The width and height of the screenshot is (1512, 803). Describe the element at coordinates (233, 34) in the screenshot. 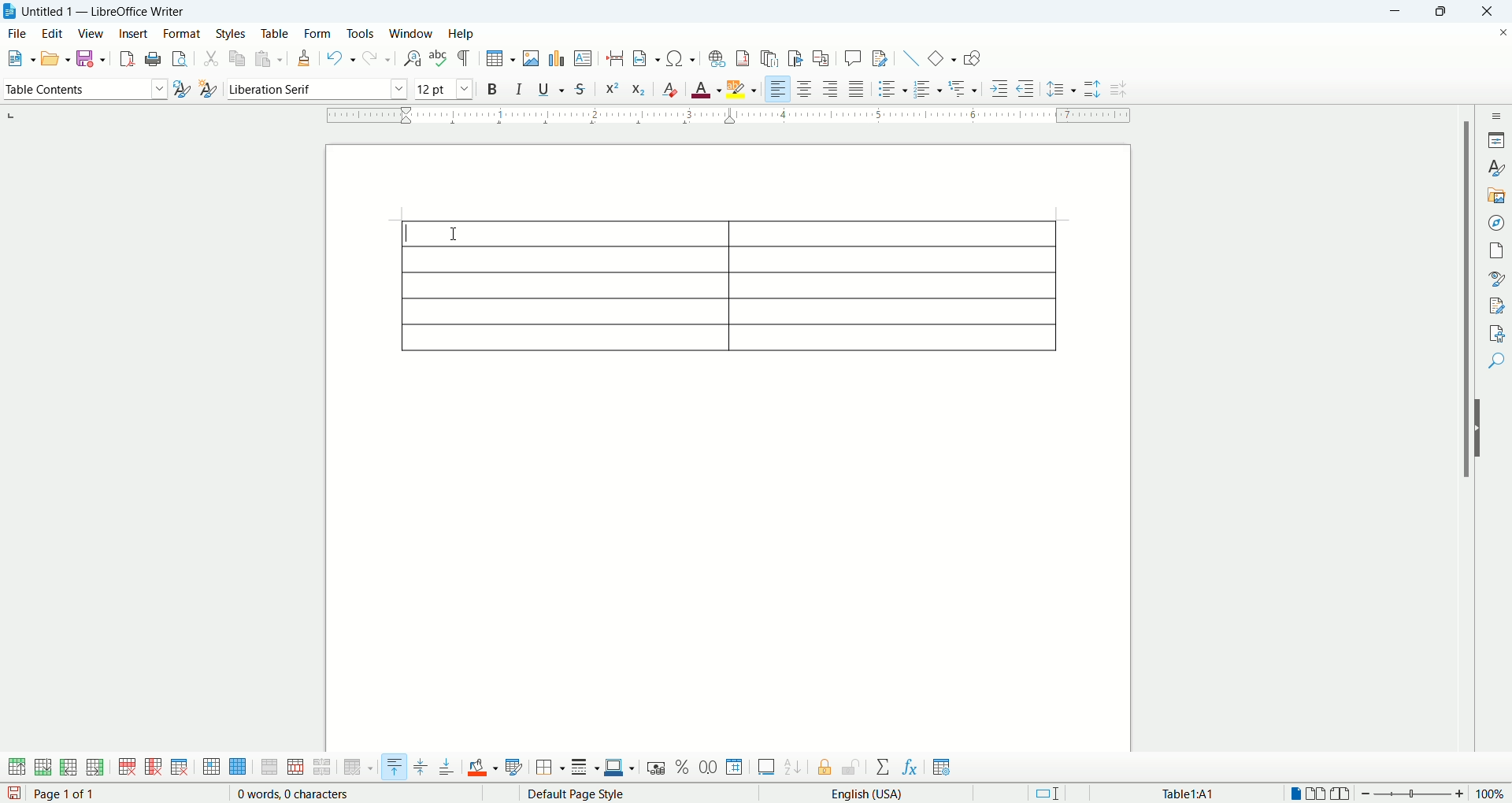

I see `styles` at that location.